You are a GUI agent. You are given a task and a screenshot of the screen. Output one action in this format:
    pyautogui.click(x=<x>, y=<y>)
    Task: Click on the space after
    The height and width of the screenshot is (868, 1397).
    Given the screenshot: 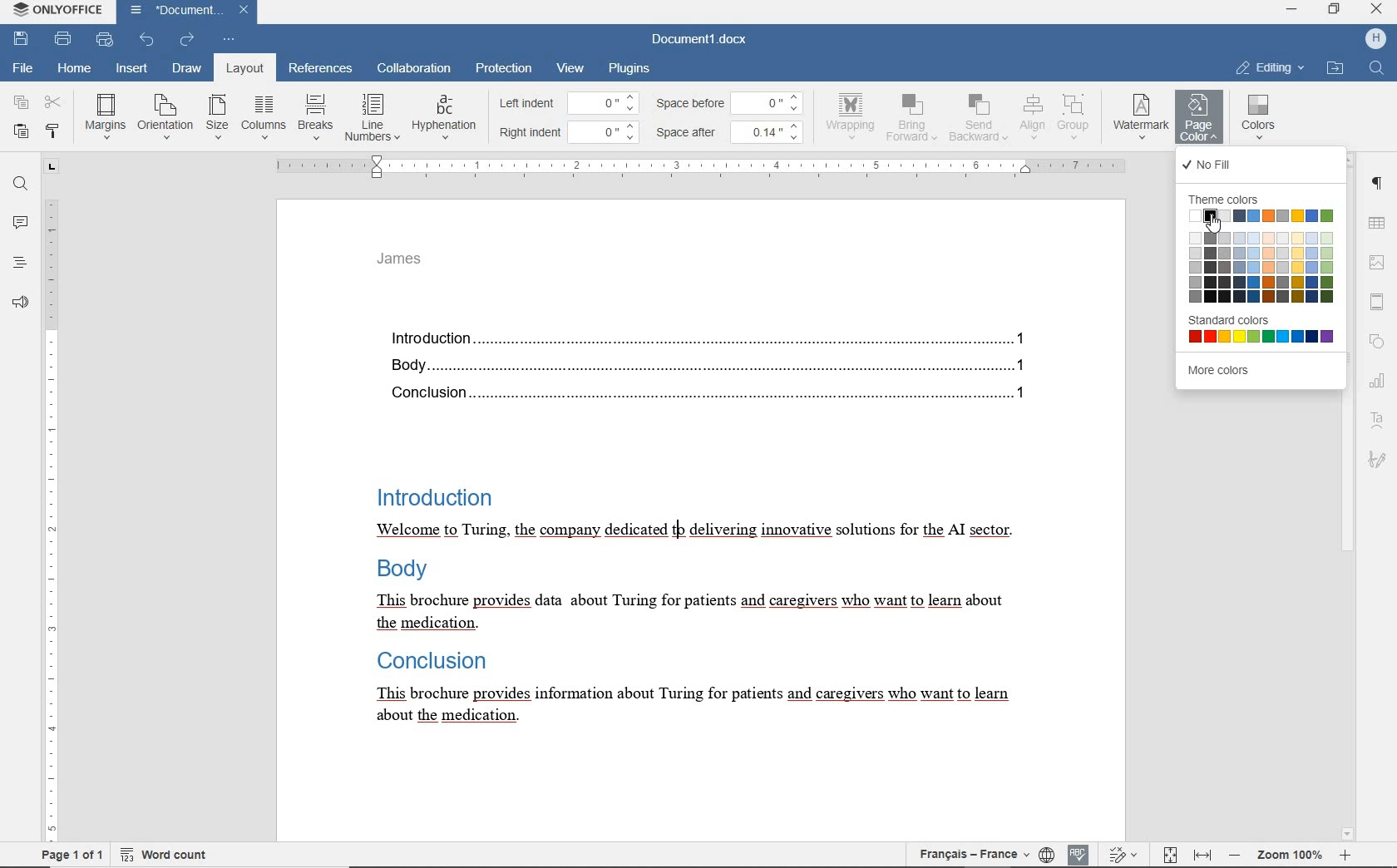 What is the action you would take?
    pyautogui.click(x=689, y=132)
    